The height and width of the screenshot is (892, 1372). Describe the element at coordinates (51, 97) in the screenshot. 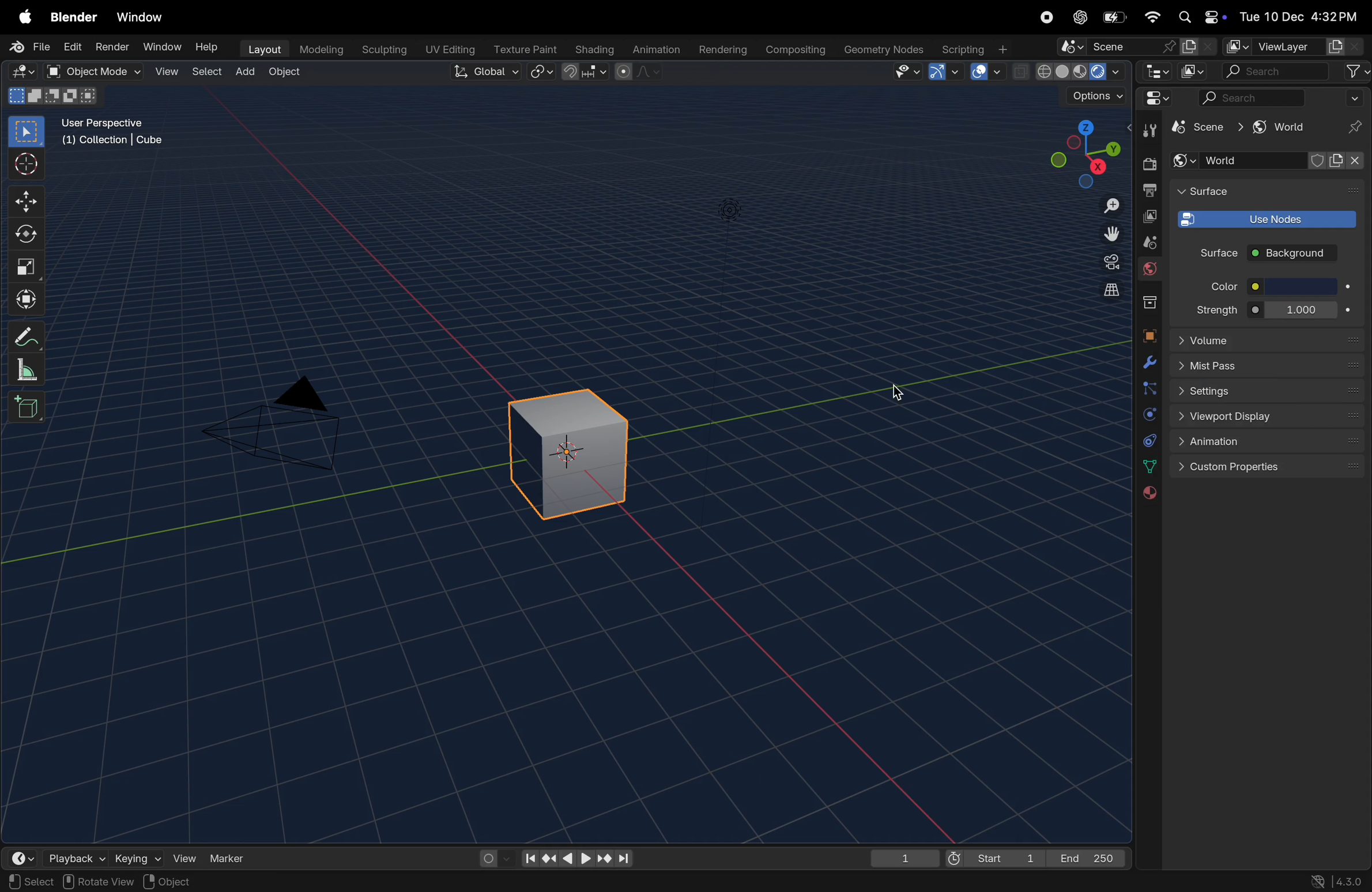

I see `mode` at that location.